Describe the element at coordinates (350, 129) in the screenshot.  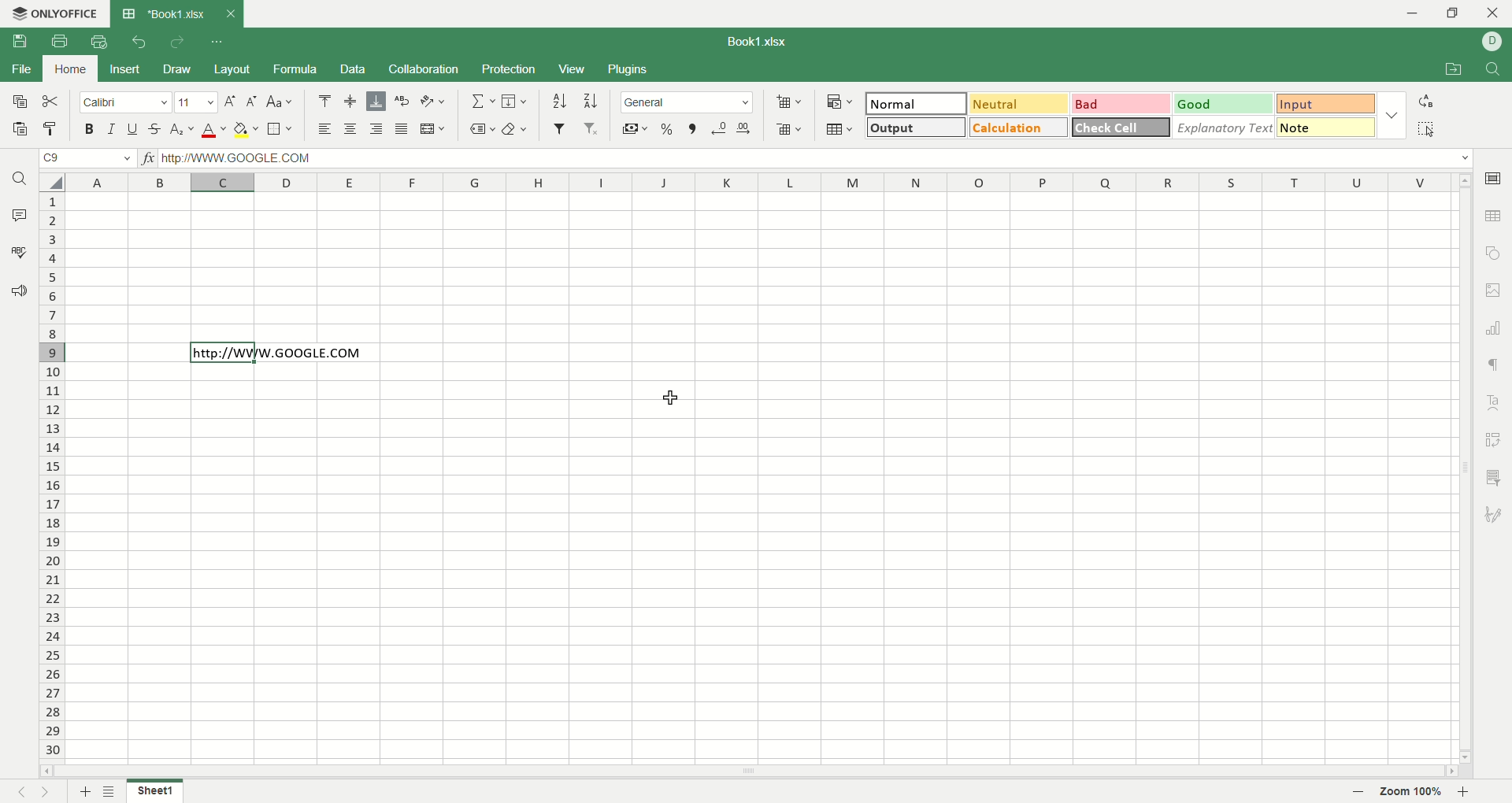
I see `align center` at that location.